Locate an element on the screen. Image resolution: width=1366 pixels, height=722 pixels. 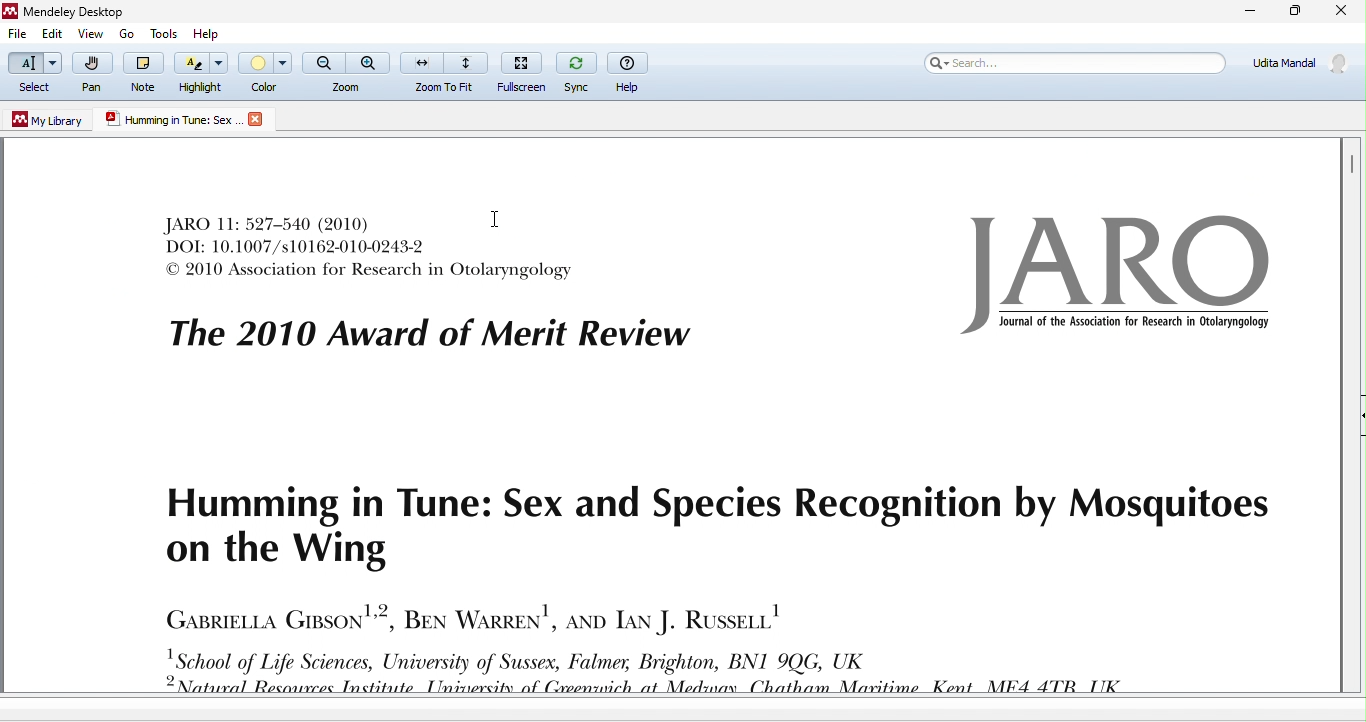
humming in true.sex is located at coordinates (173, 118).